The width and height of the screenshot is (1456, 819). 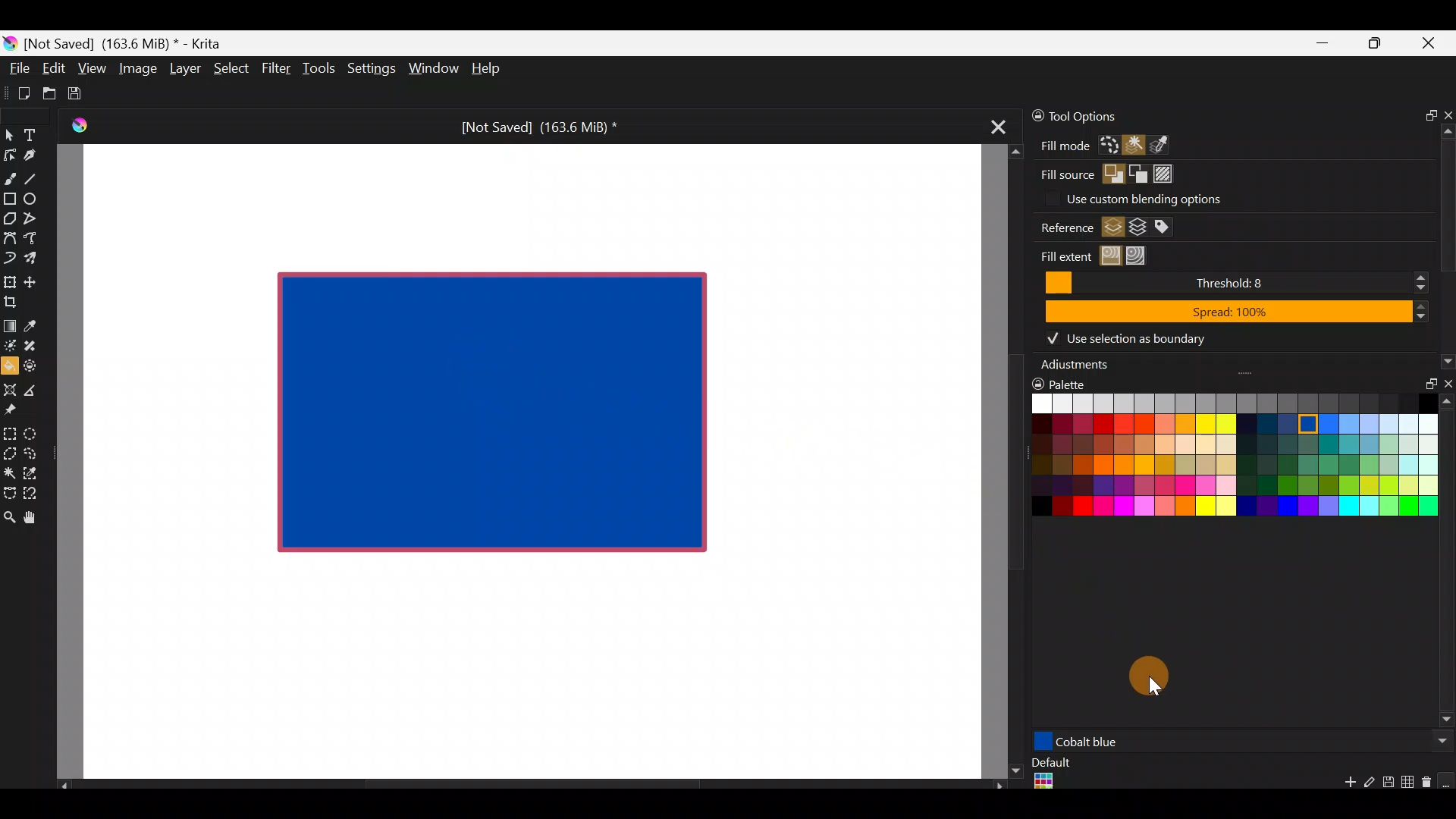 What do you see at coordinates (1109, 145) in the screenshot?
I see `Fill the active selection or the entire canvas` at bounding box center [1109, 145].